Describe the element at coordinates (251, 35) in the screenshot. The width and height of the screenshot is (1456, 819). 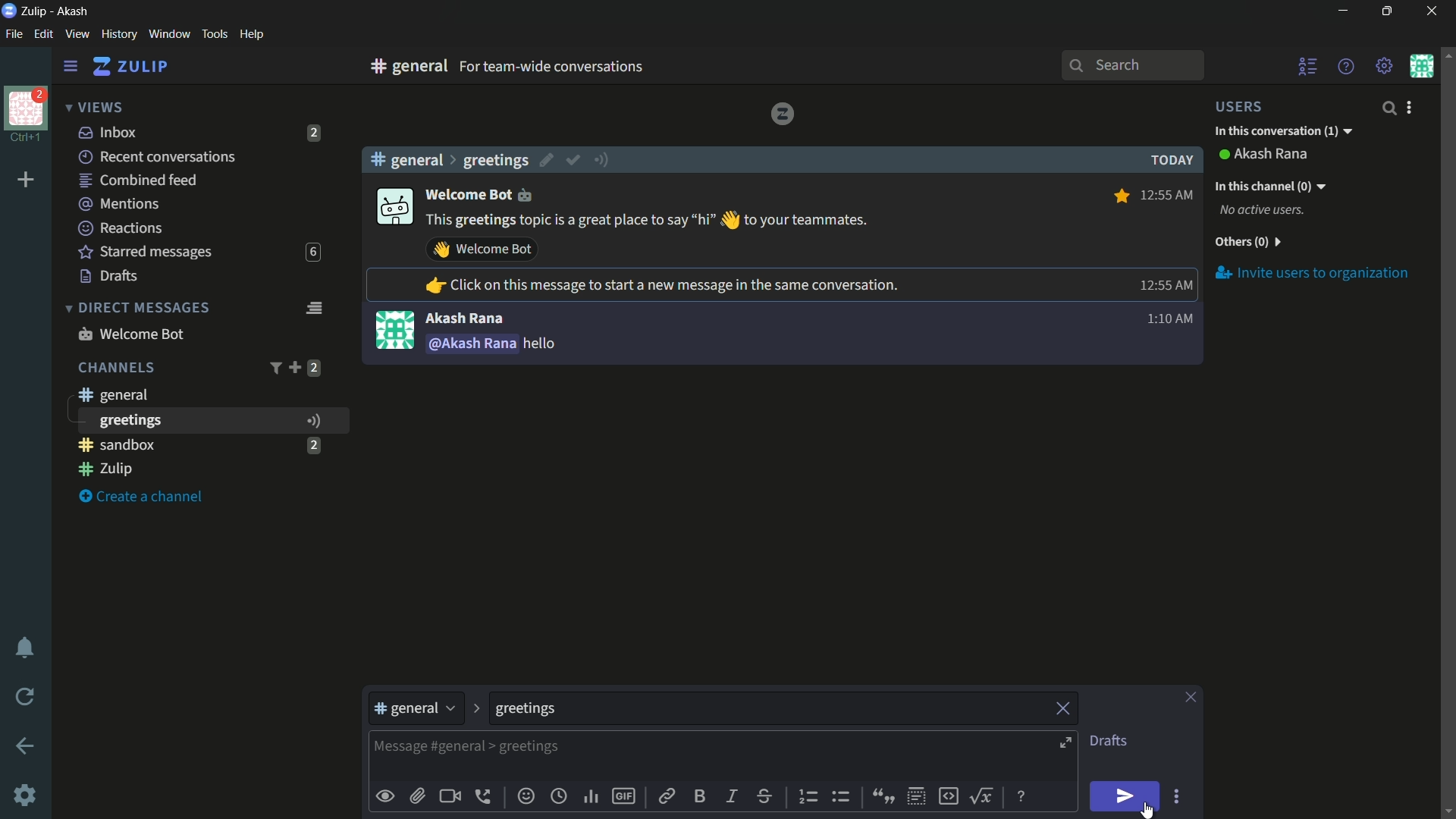
I see `help menu` at that location.